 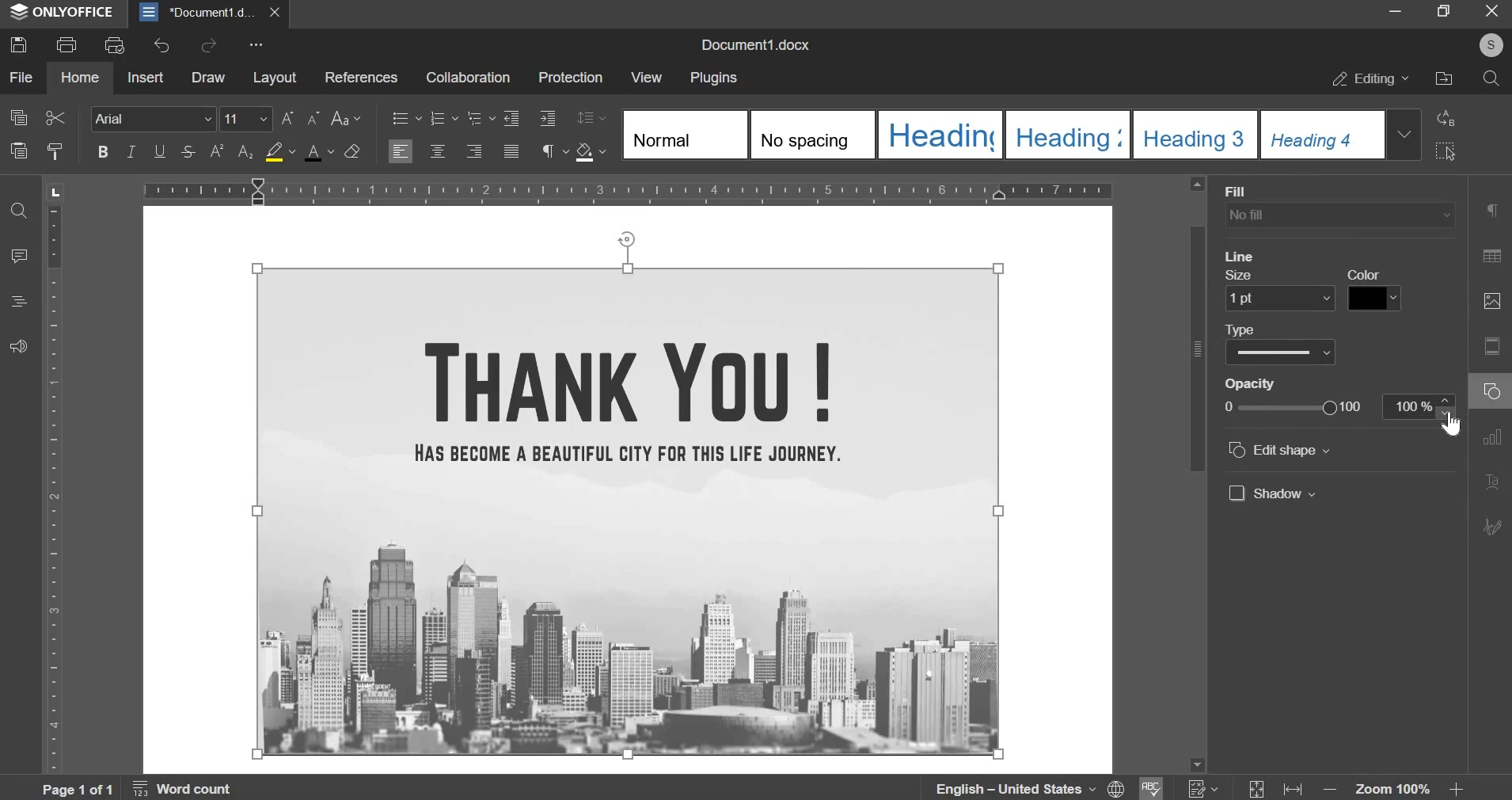 I want to click on zoom & fit, so click(x=1354, y=786).